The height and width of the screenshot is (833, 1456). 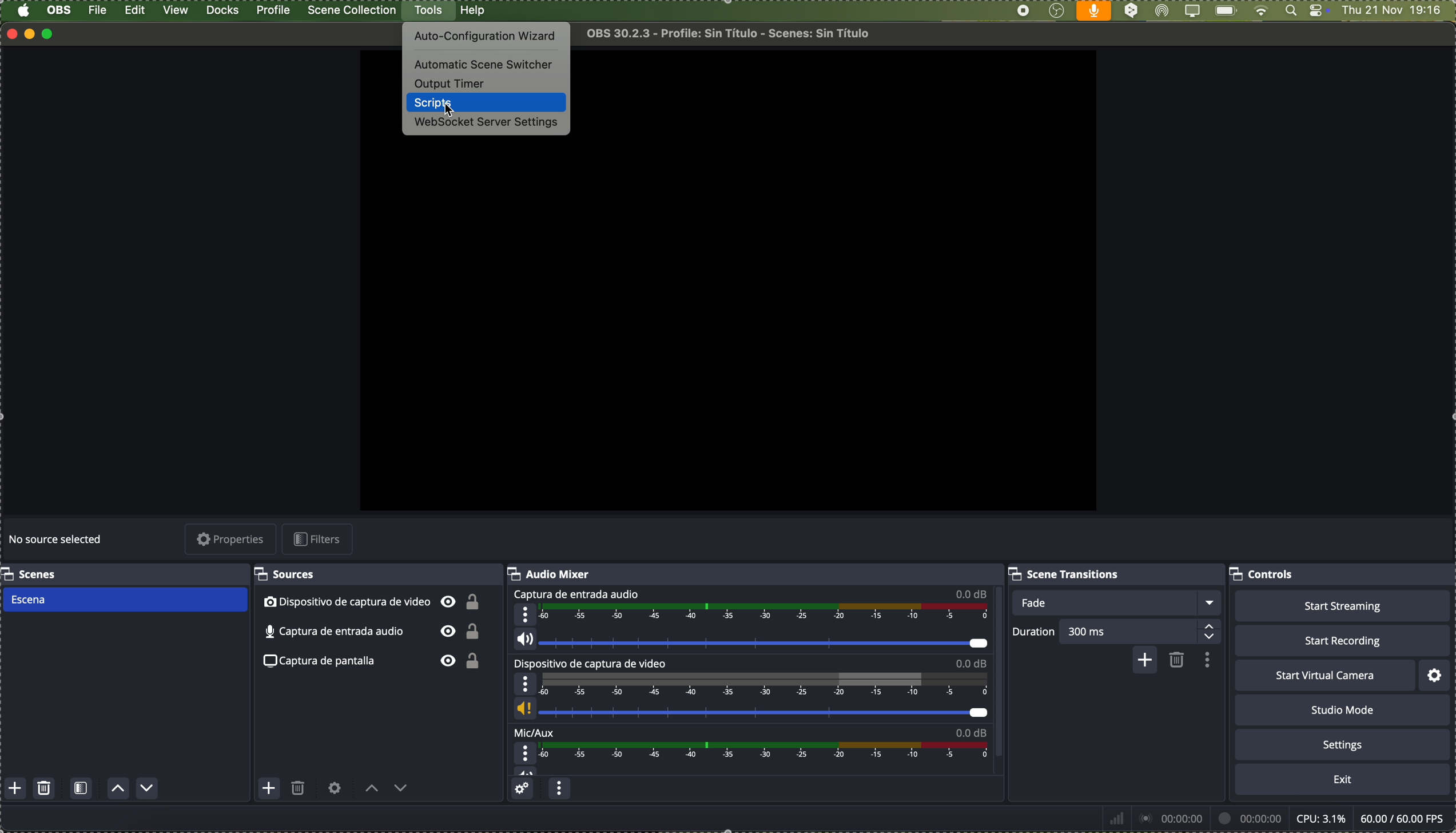 What do you see at coordinates (269, 788) in the screenshot?
I see `add source` at bounding box center [269, 788].